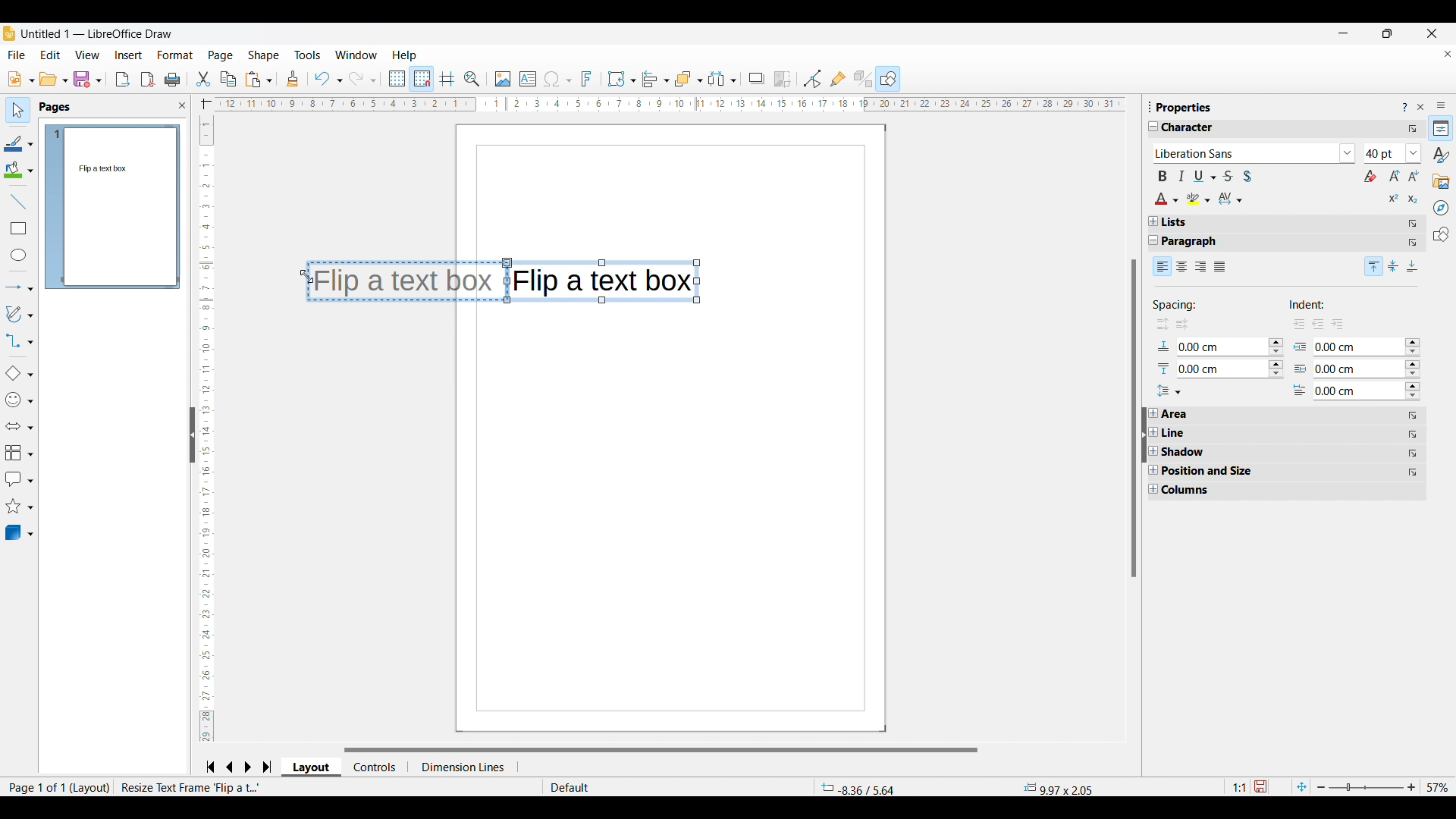 This screenshot has height=819, width=1456. What do you see at coordinates (1219, 345) in the screenshot?
I see `0.00 cm` at bounding box center [1219, 345].